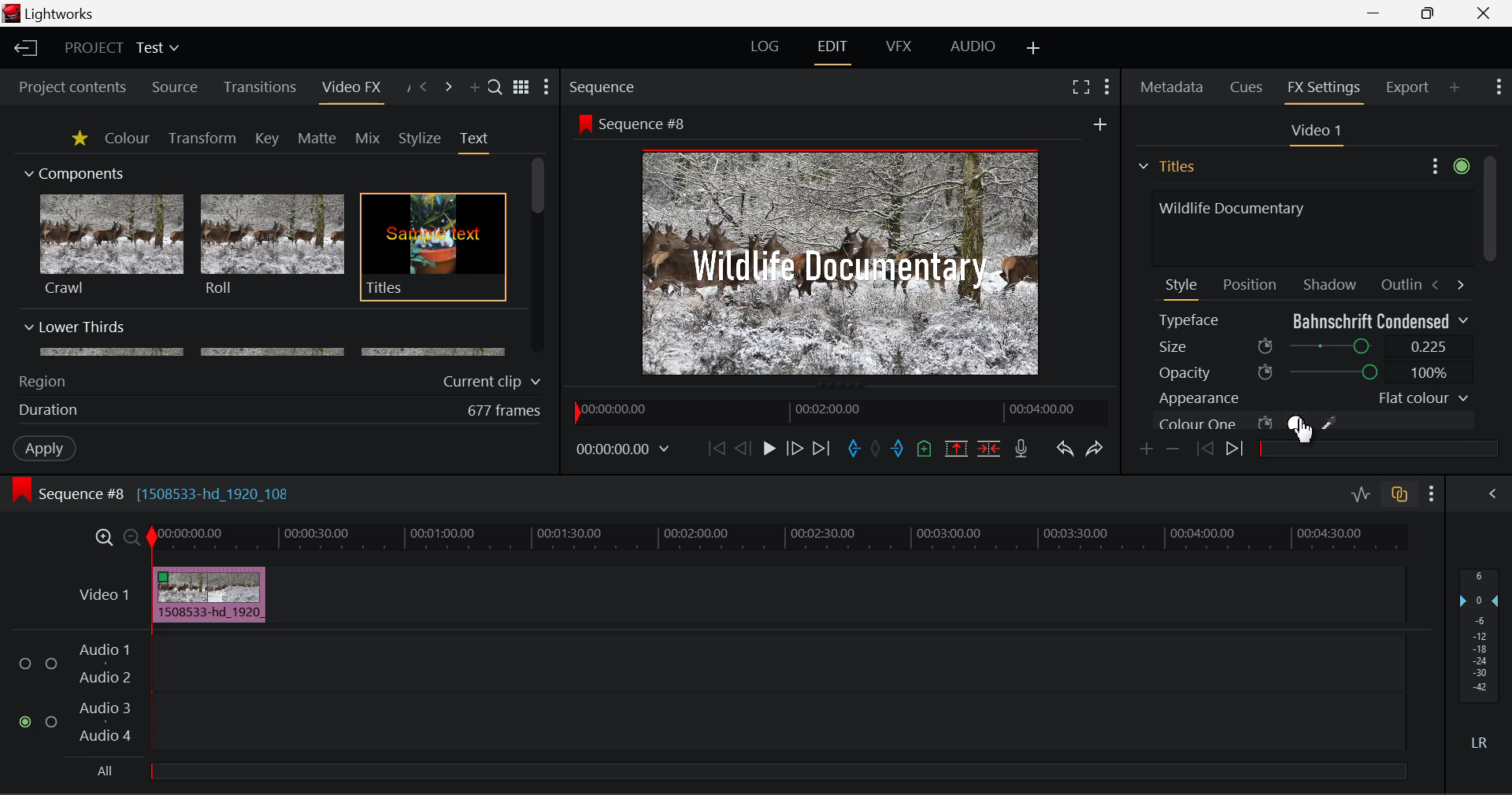 The height and width of the screenshot is (795, 1512). I want to click on Show Settings, so click(1499, 85).